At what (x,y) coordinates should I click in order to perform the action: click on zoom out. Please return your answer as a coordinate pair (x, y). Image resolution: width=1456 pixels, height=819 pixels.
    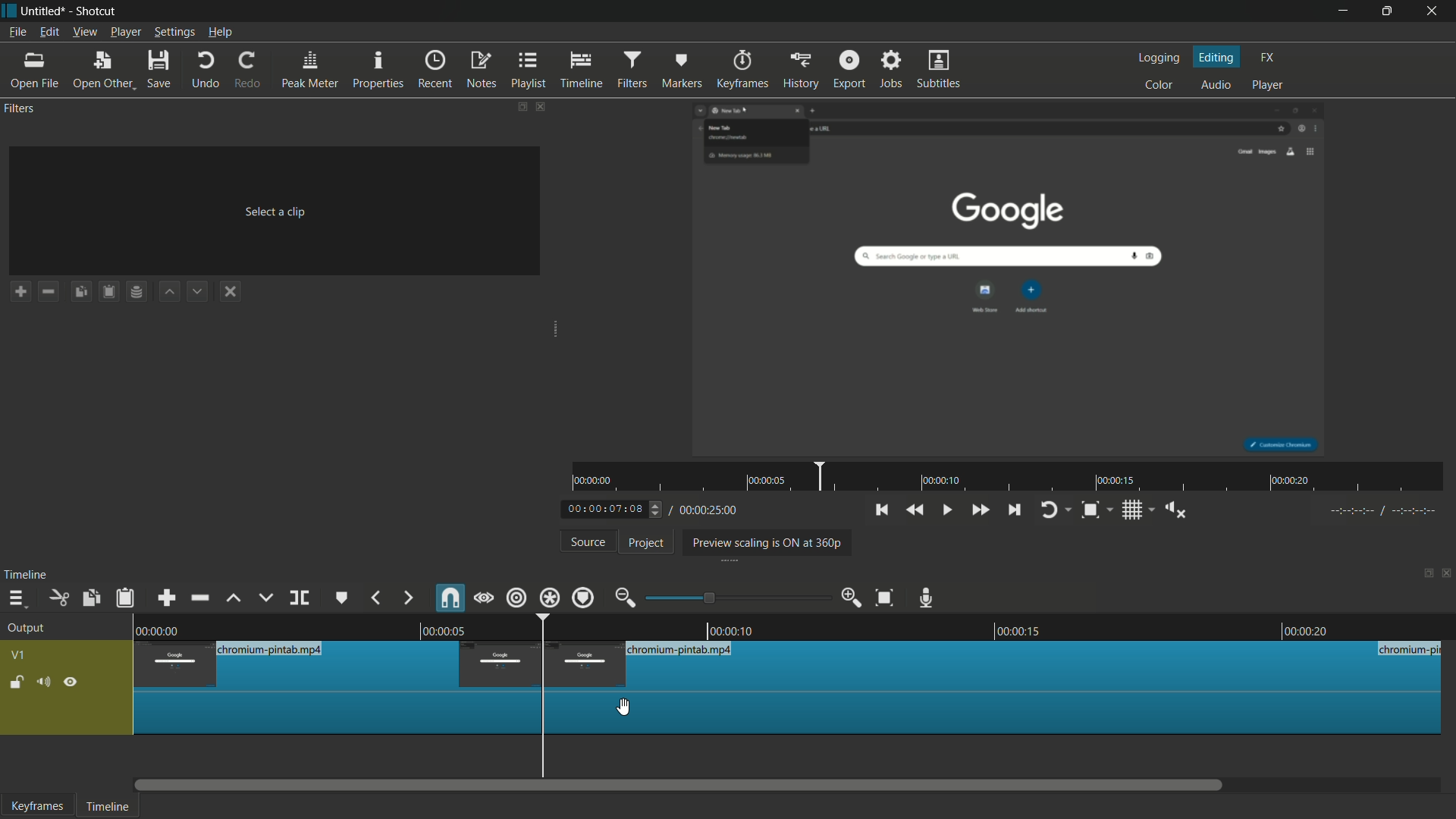
    Looking at the image, I should click on (625, 599).